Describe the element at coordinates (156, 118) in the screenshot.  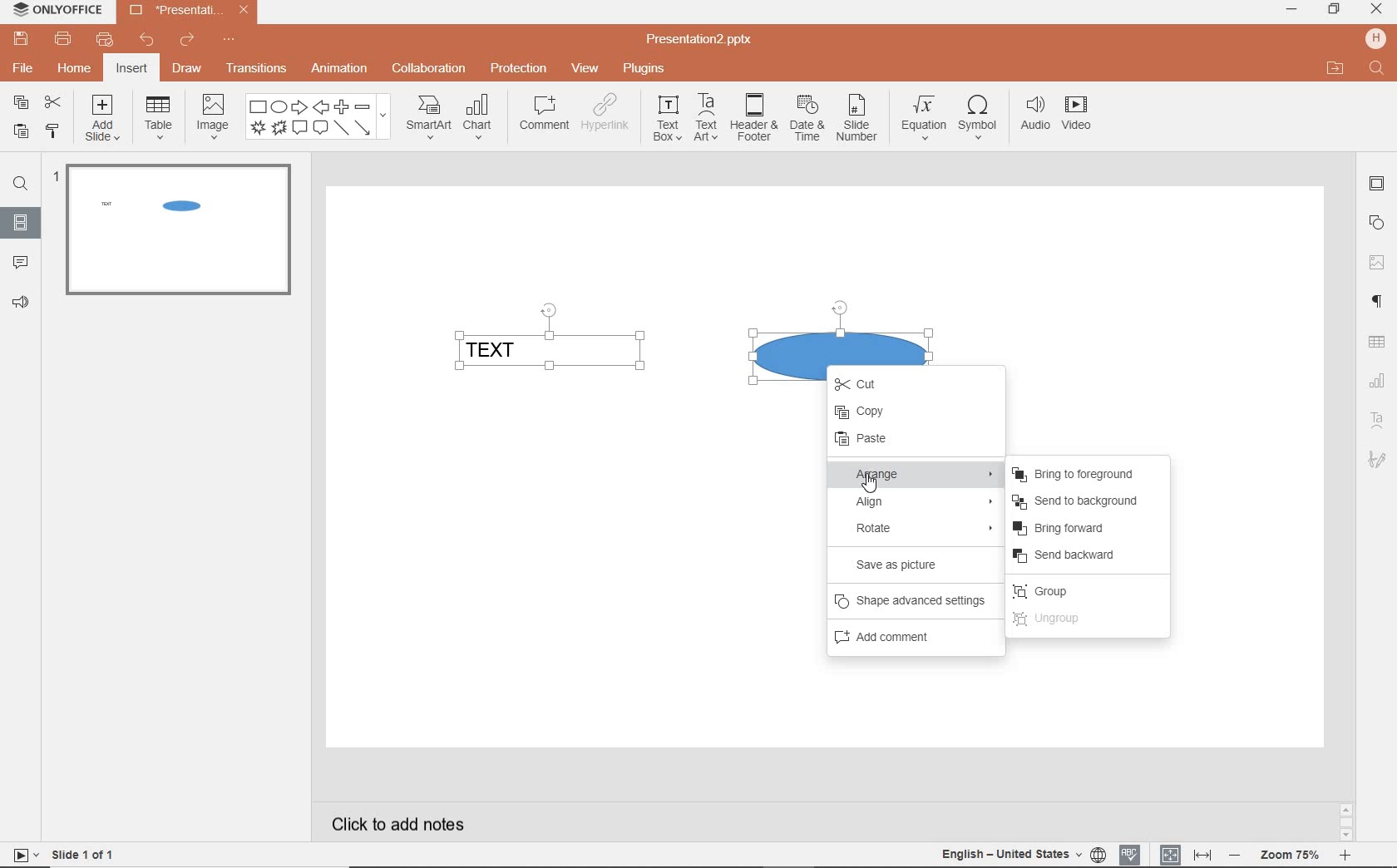
I see `table` at that location.